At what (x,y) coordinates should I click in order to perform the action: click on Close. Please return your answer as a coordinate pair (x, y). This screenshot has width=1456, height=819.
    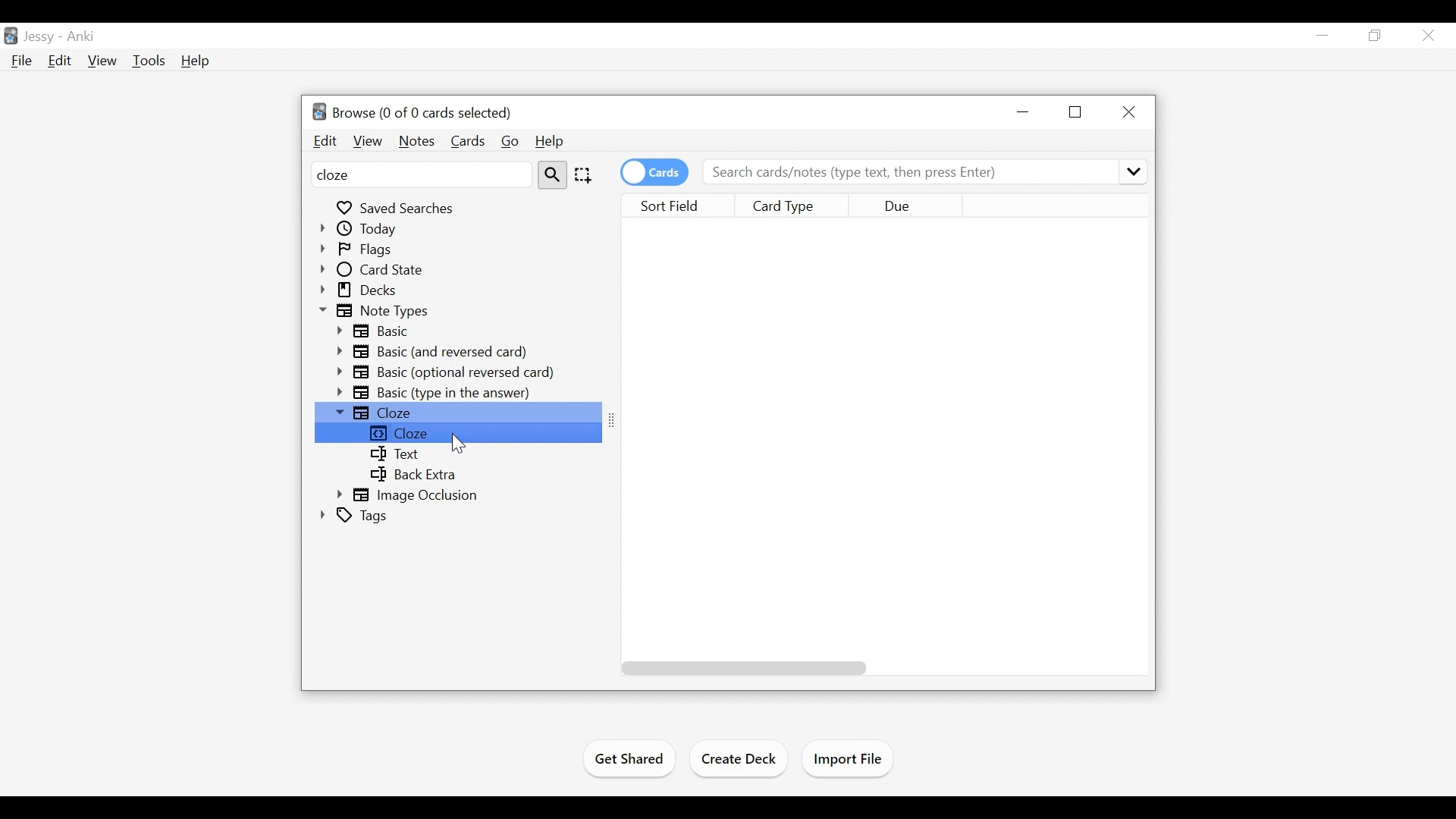
    Looking at the image, I should click on (1130, 111).